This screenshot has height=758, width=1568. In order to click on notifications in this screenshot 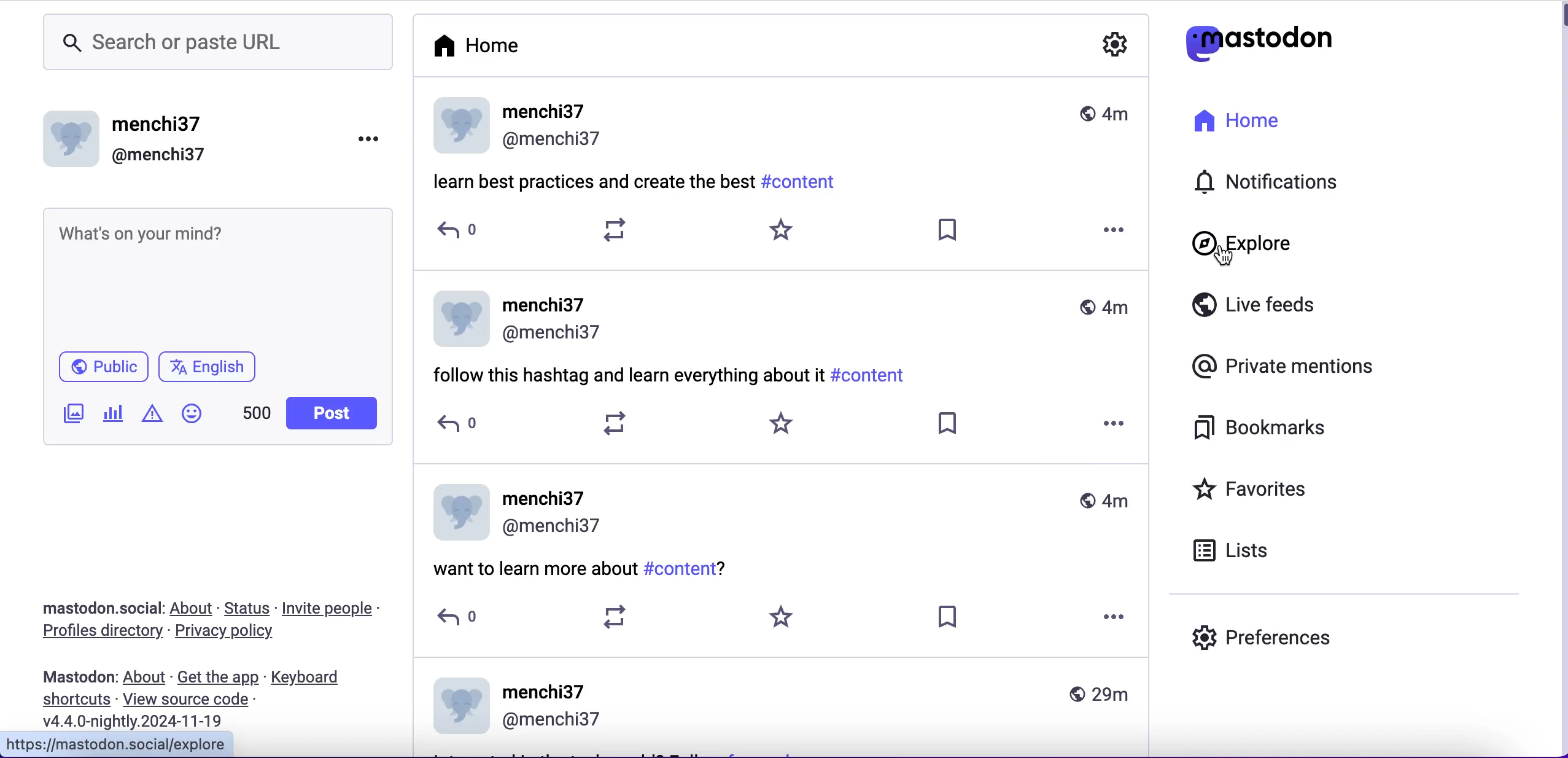, I will do `click(1275, 184)`.